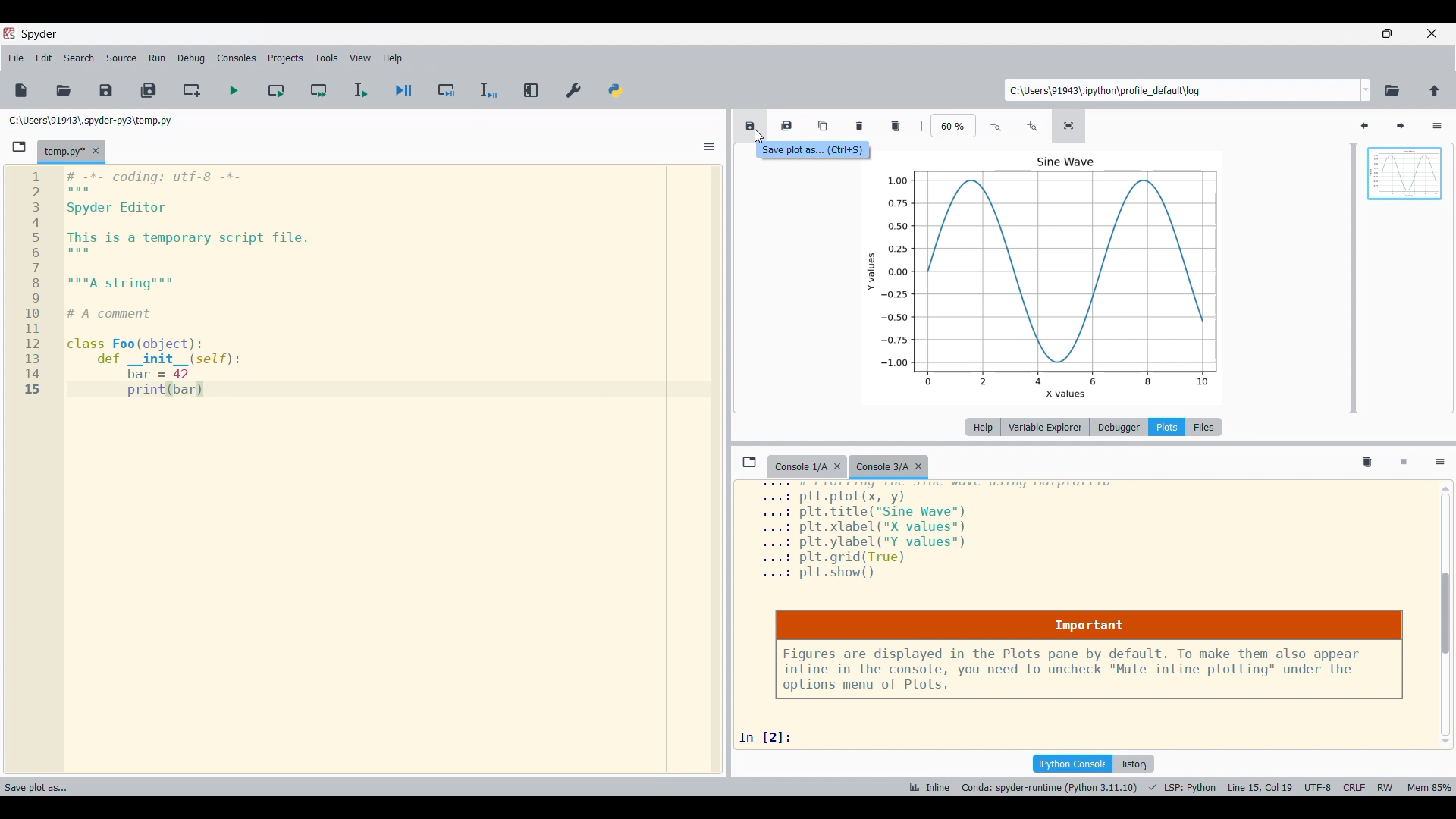  What do you see at coordinates (749, 126) in the screenshot?
I see `Save plot as` at bounding box center [749, 126].